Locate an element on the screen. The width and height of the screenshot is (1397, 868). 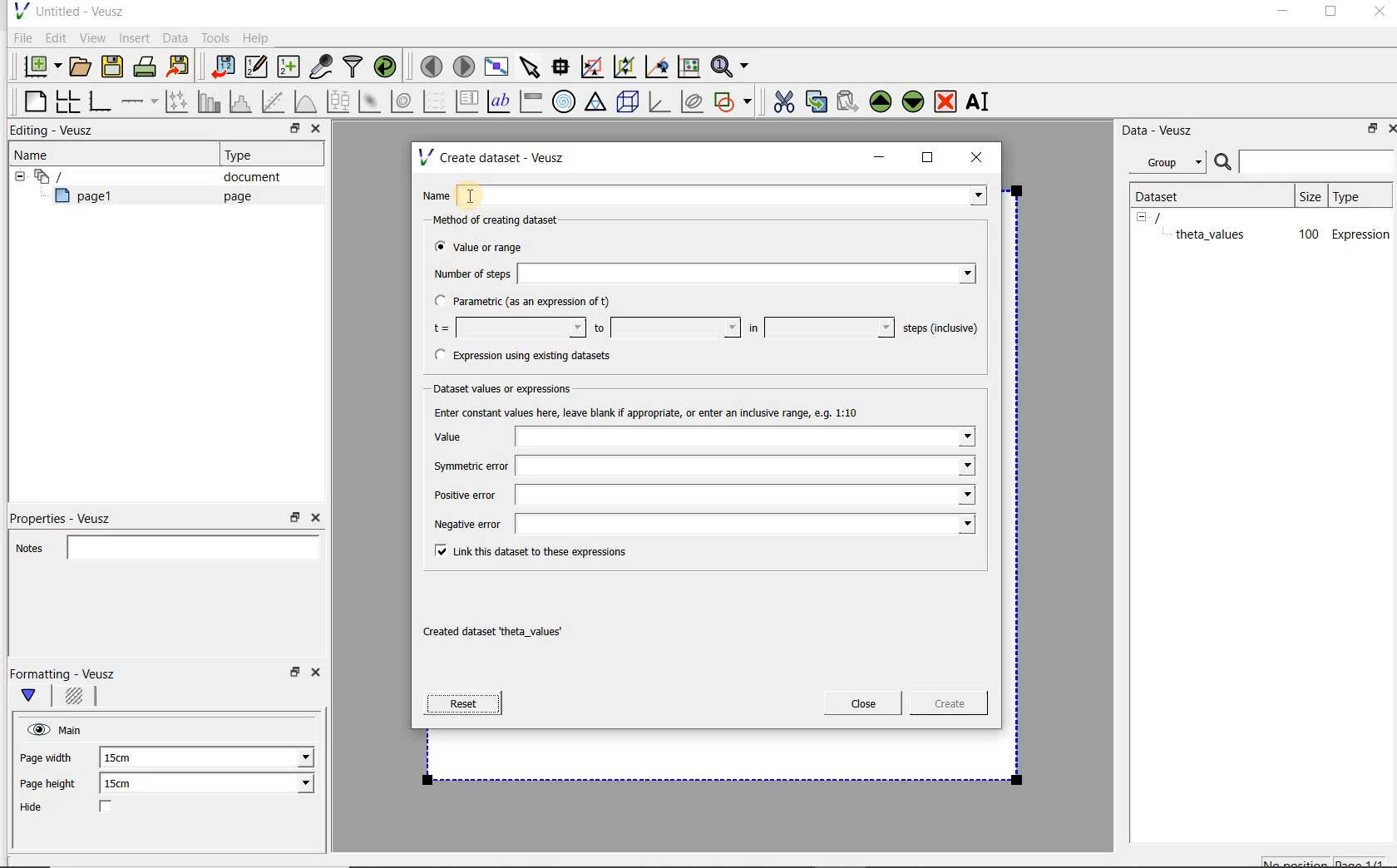
move to the next page is located at coordinates (464, 67).